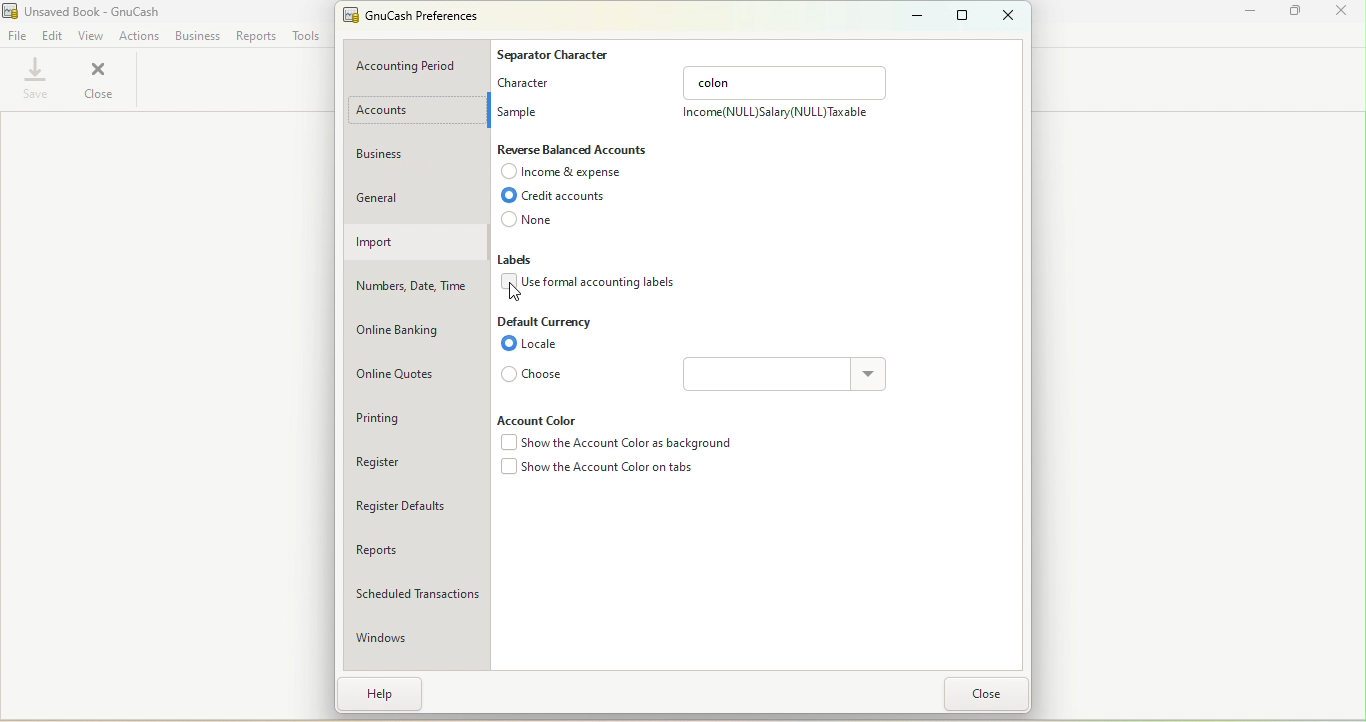  What do you see at coordinates (521, 108) in the screenshot?
I see `Sample` at bounding box center [521, 108].